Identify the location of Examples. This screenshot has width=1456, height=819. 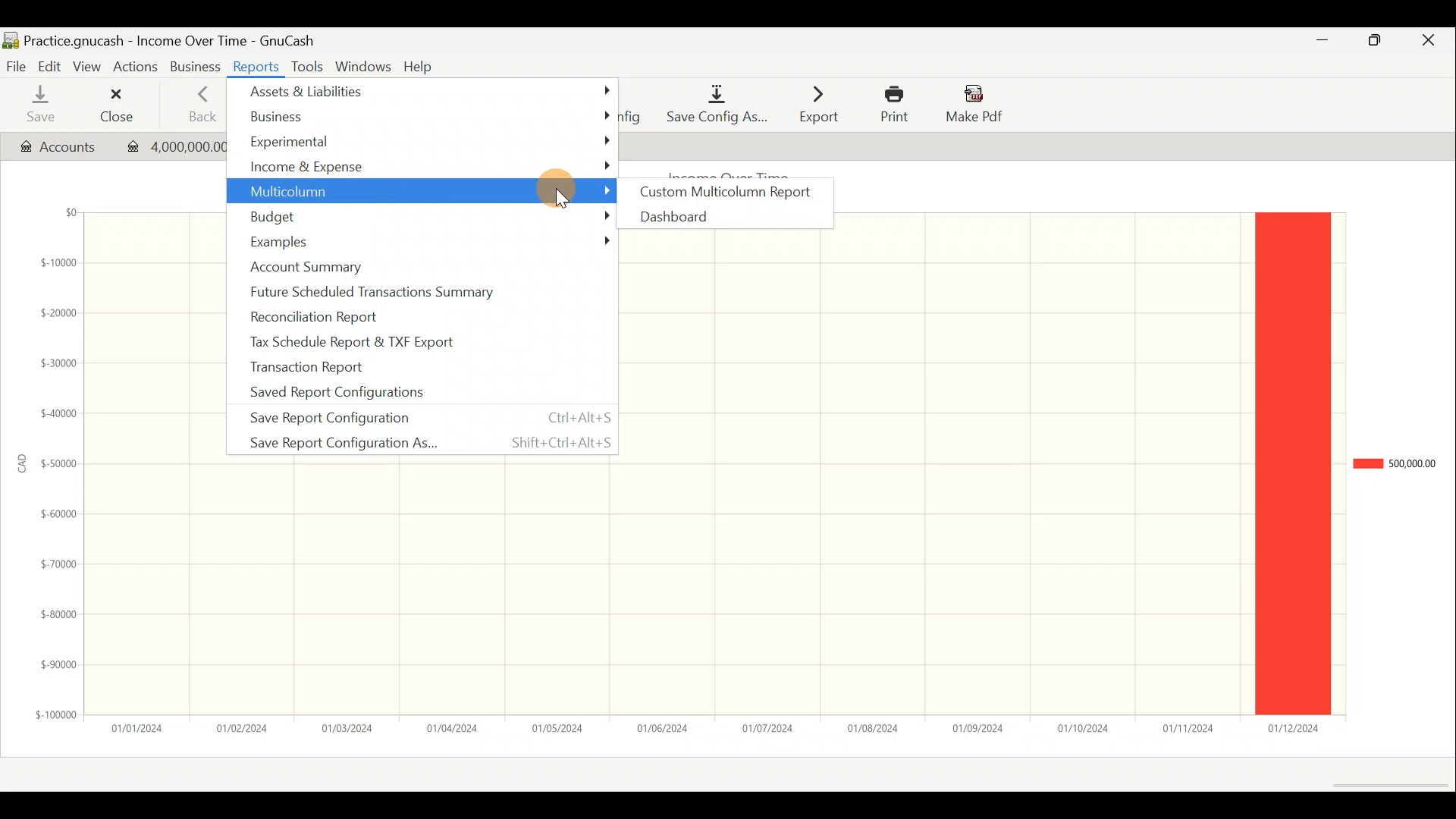
(424, 241).